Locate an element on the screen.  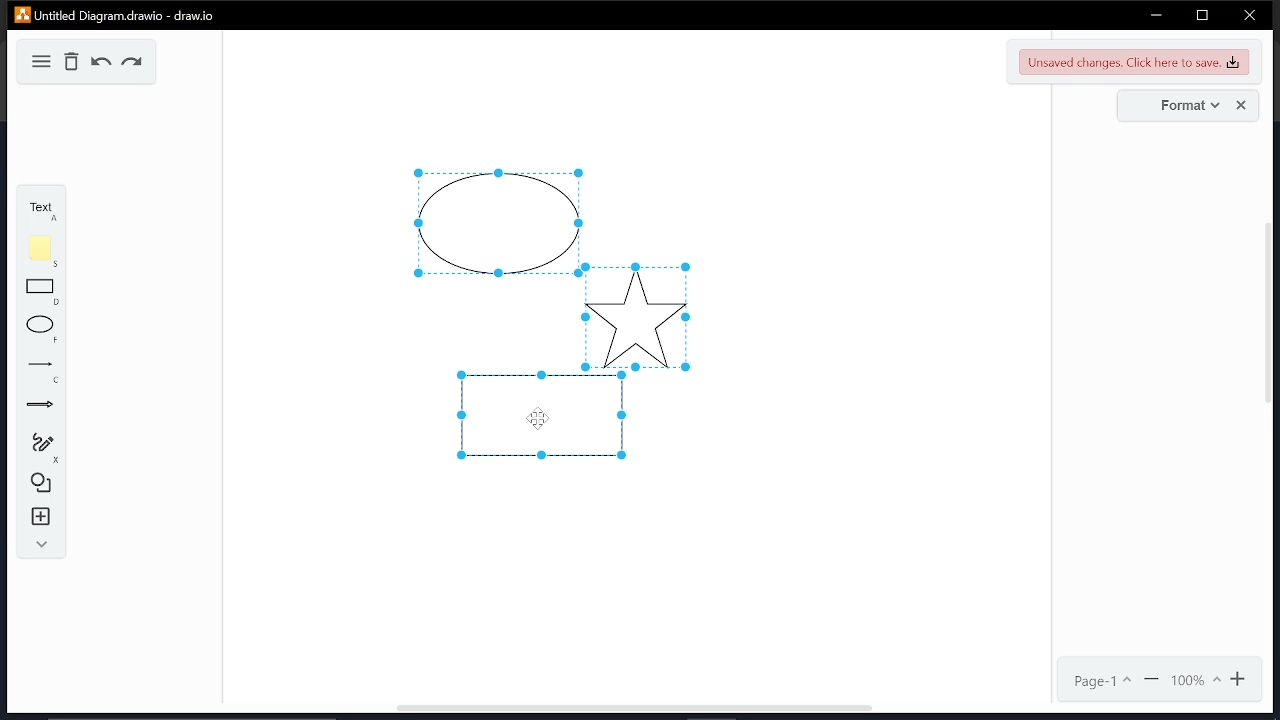
arrows is located at coordinates (40, 407).